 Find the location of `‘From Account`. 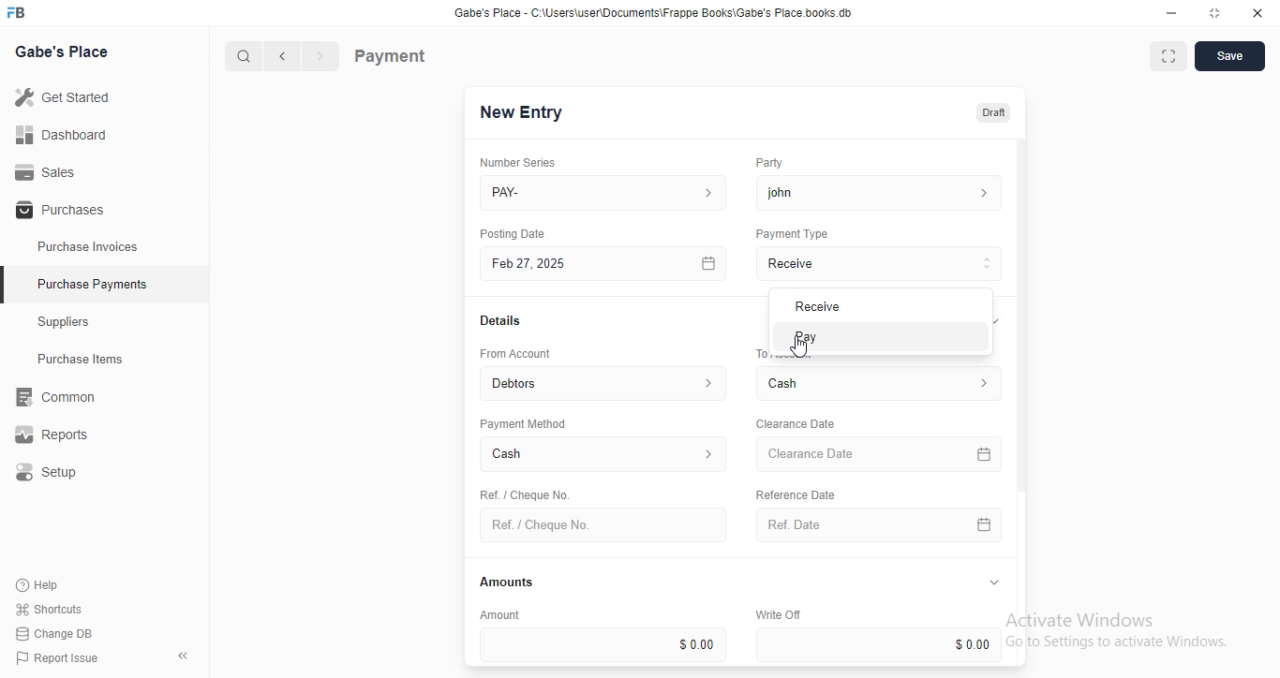

‘From Account is located at coordinates (514, 353).